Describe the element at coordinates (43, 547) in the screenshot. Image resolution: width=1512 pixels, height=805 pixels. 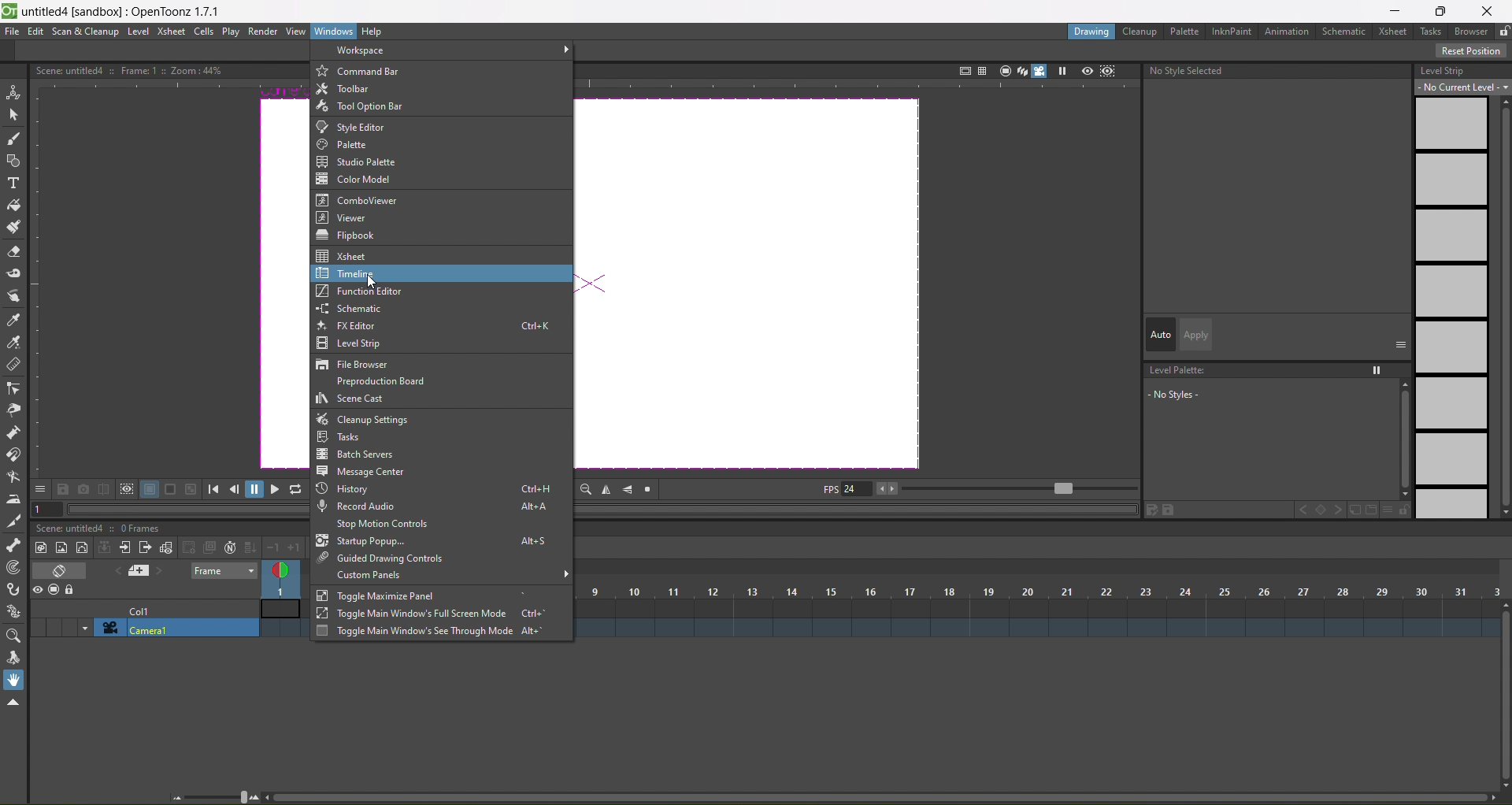
I see `new toonz raster level` at that location.